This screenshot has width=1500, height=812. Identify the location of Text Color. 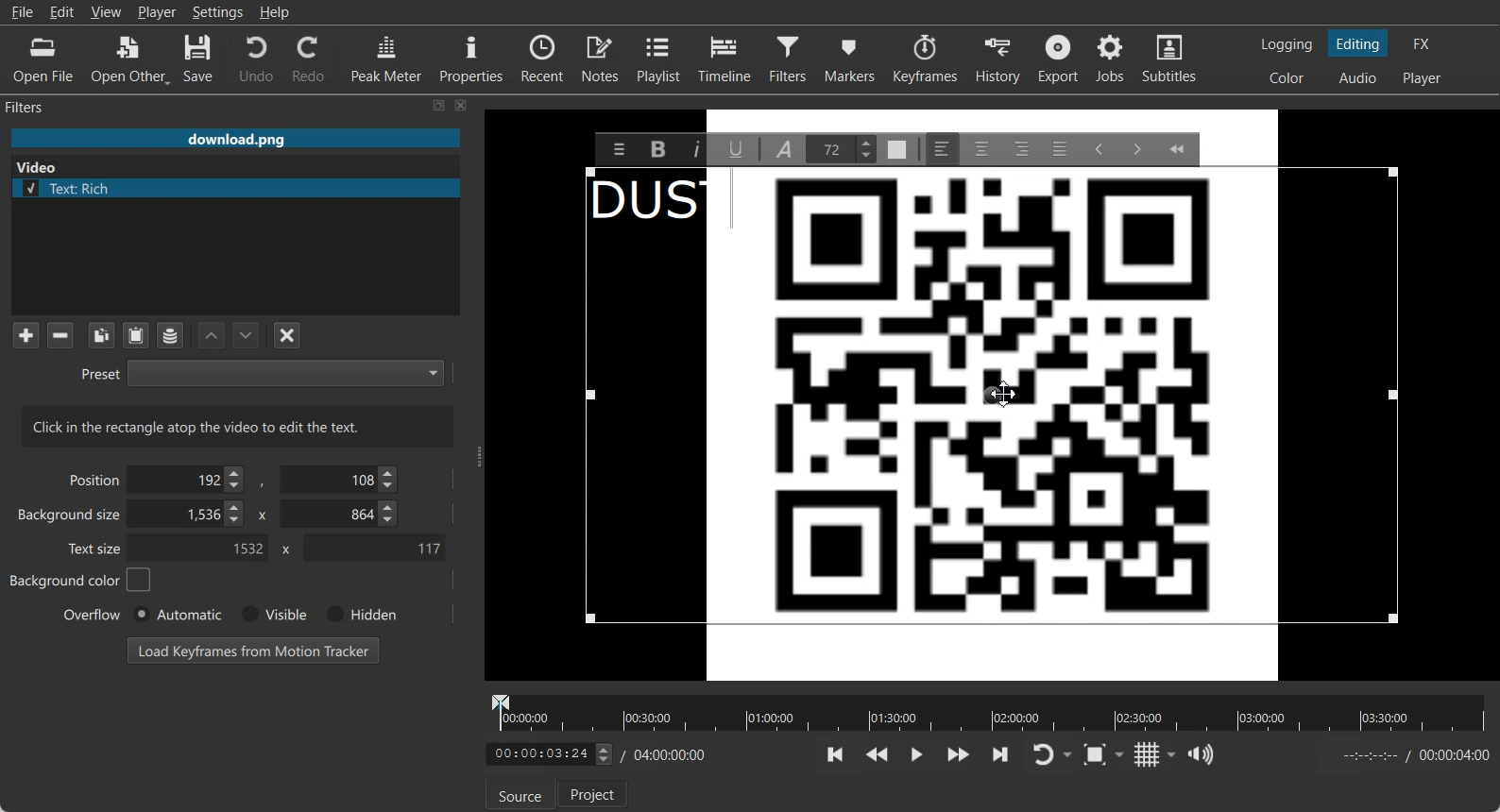
(895, 149).